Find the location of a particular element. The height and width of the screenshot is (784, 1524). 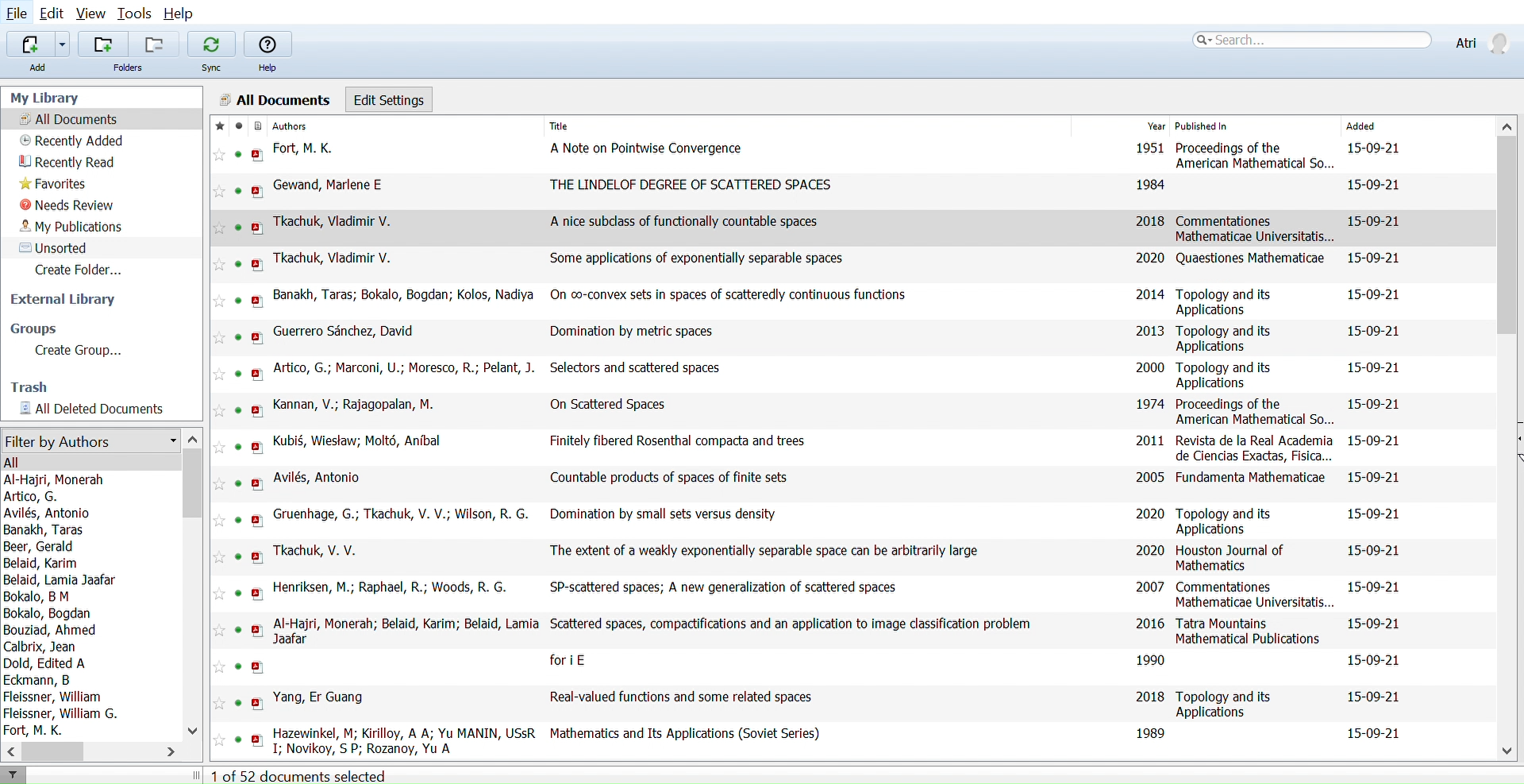

open PDF is located at coordinates (258, 410).